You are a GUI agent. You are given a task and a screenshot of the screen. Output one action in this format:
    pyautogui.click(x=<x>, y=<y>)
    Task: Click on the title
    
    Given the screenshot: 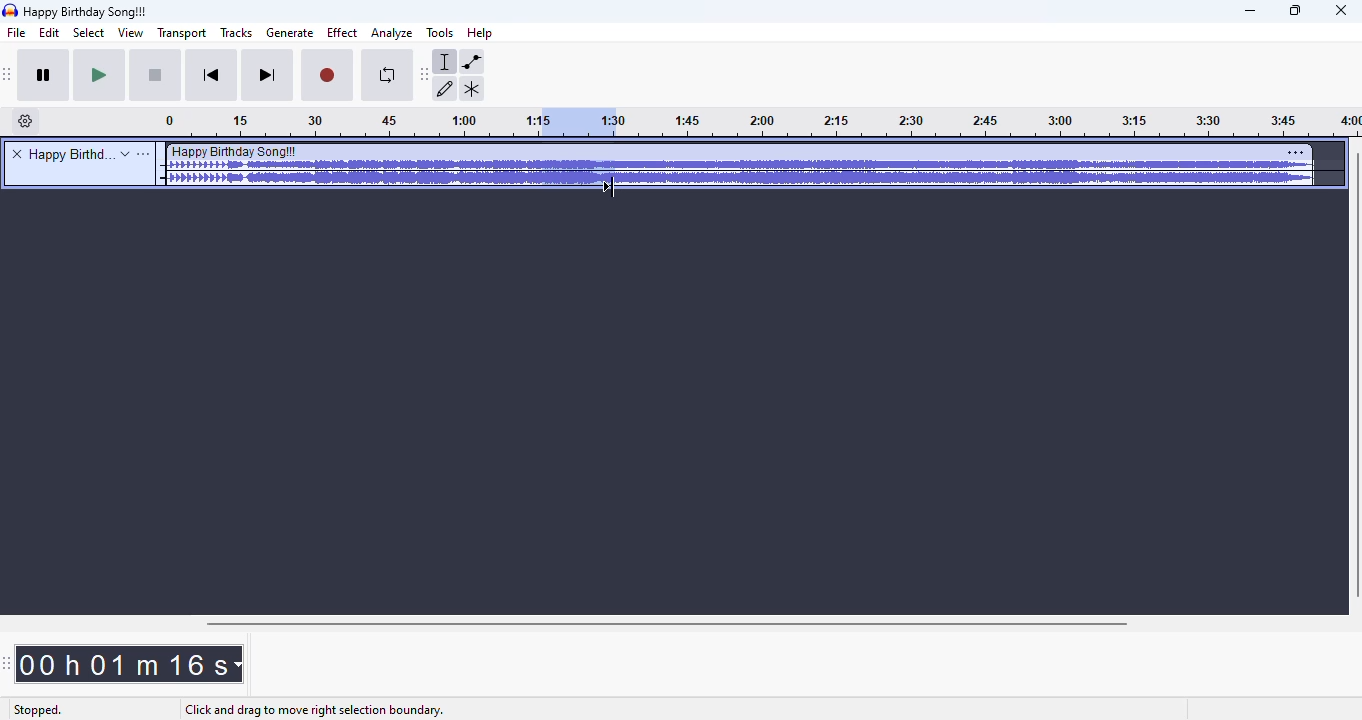 What is the action you would take?
    pyautogui.click(x=69, y=154)
    